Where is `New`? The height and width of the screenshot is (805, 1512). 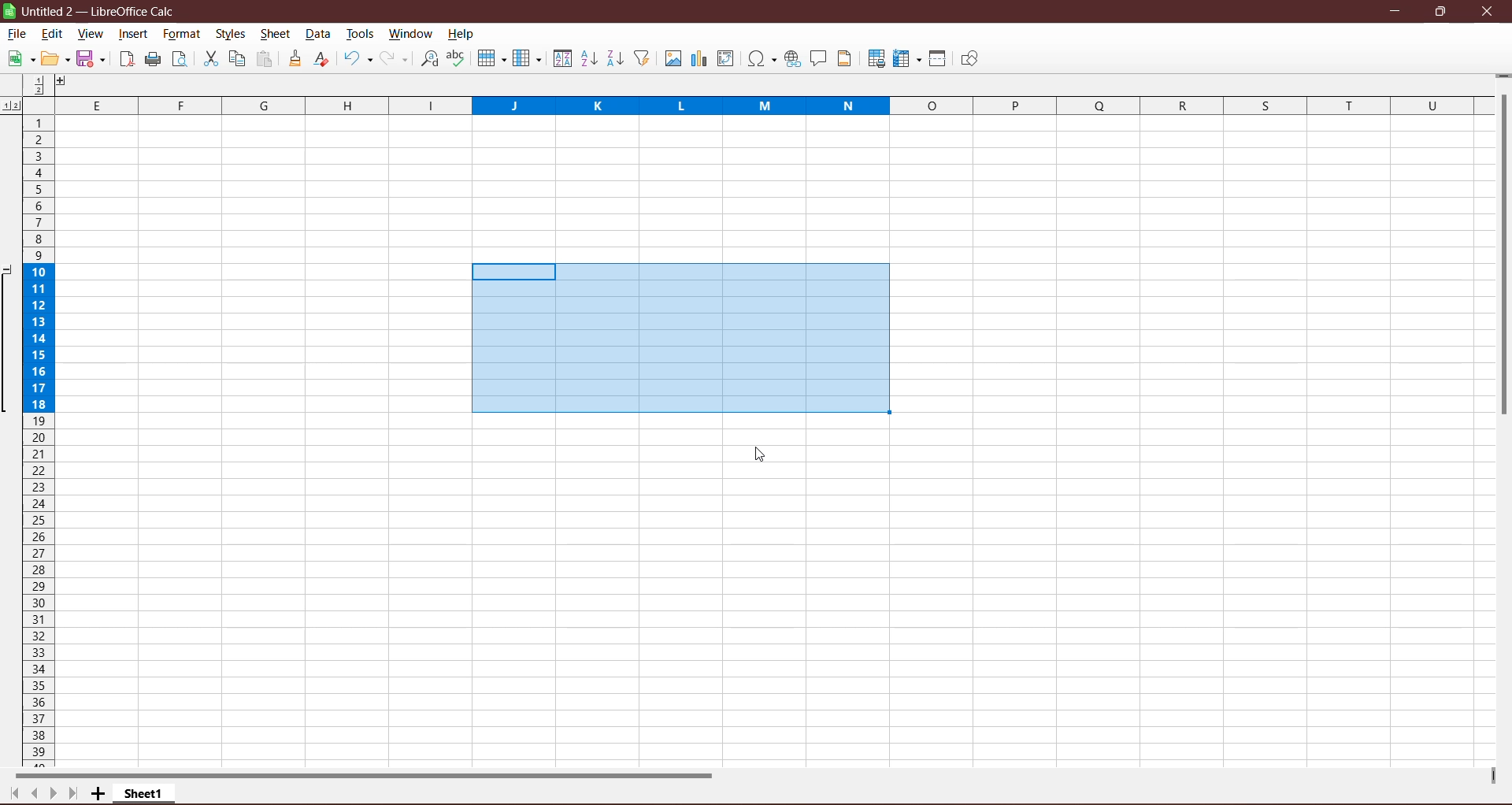
New is located at coordinates (19, 59).